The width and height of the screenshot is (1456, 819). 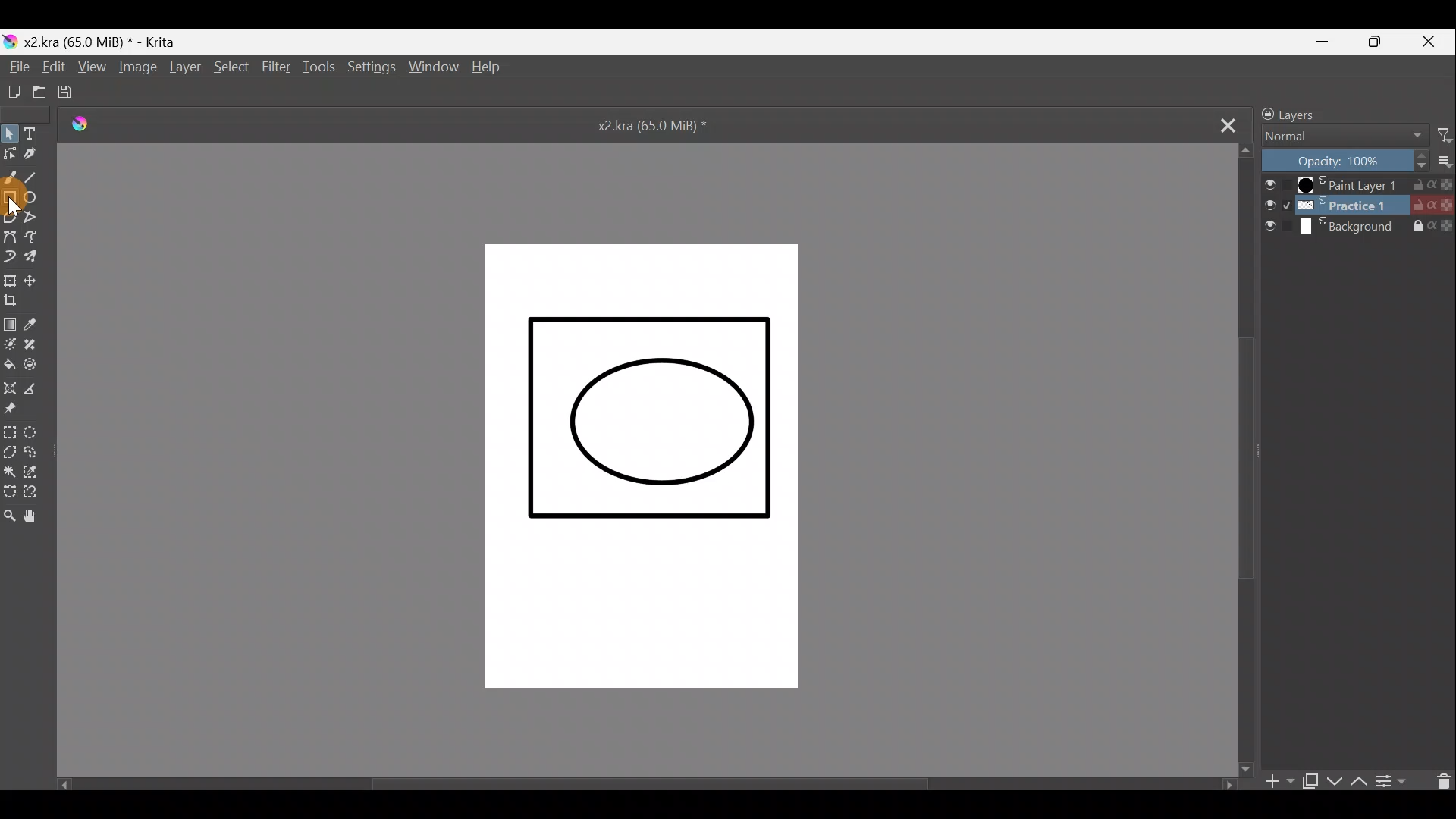 I want to click on View, so click(x=92, y=67).